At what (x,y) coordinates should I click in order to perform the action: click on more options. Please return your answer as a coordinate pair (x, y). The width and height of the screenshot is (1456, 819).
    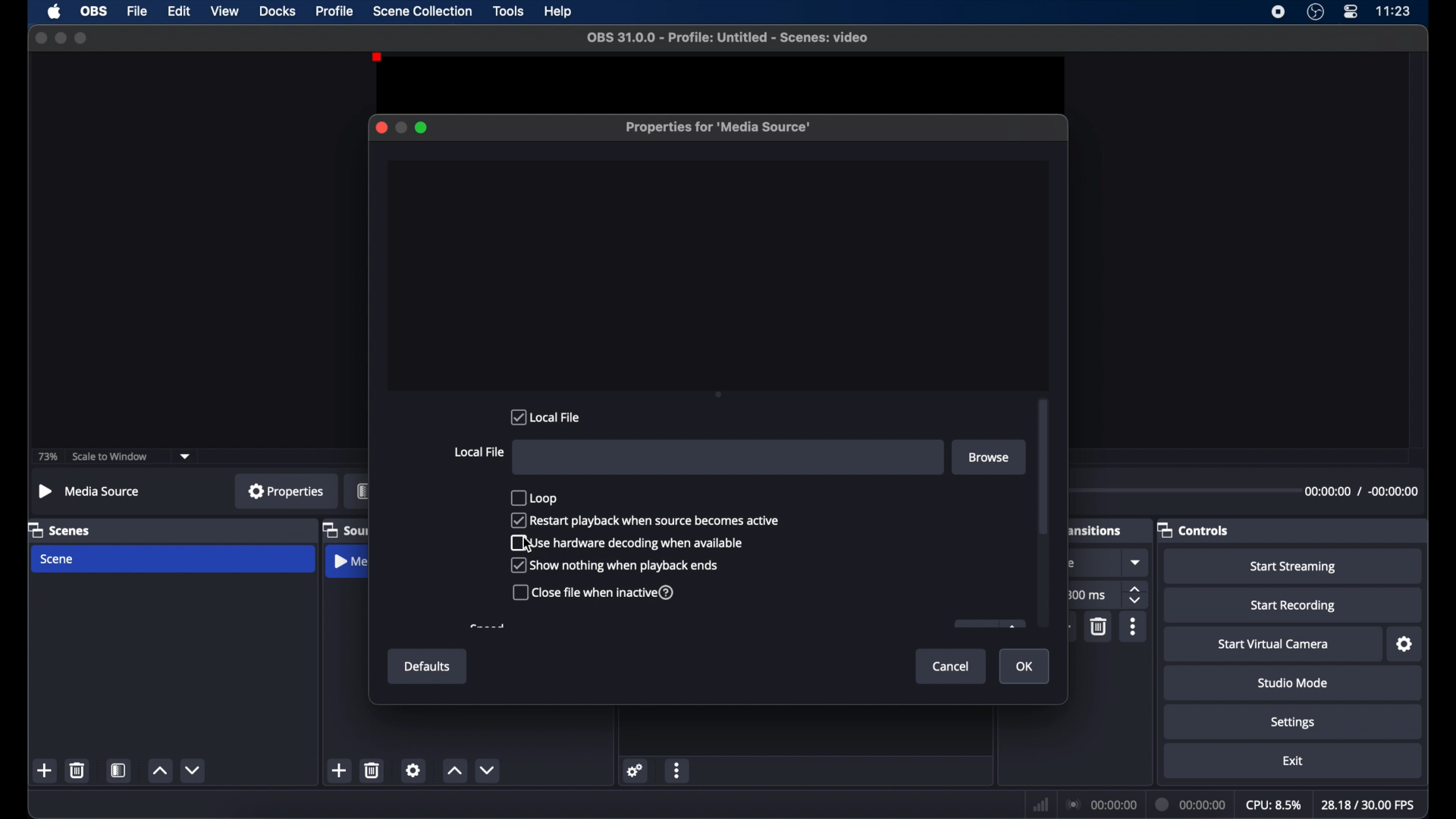
    Looking at the image, I should click on (679, 770).